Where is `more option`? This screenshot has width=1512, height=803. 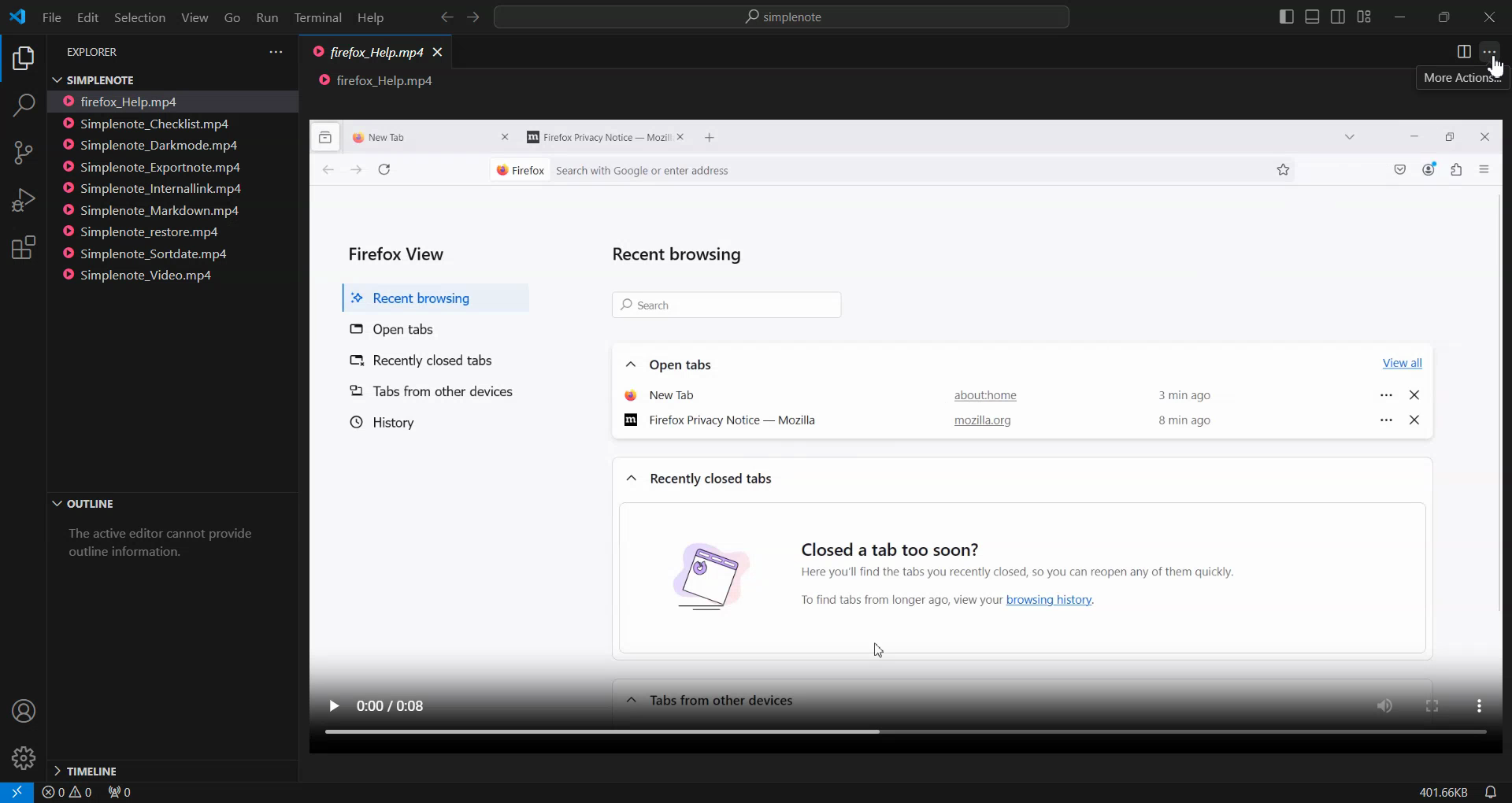 more option is located at coordinates (1477, 707).